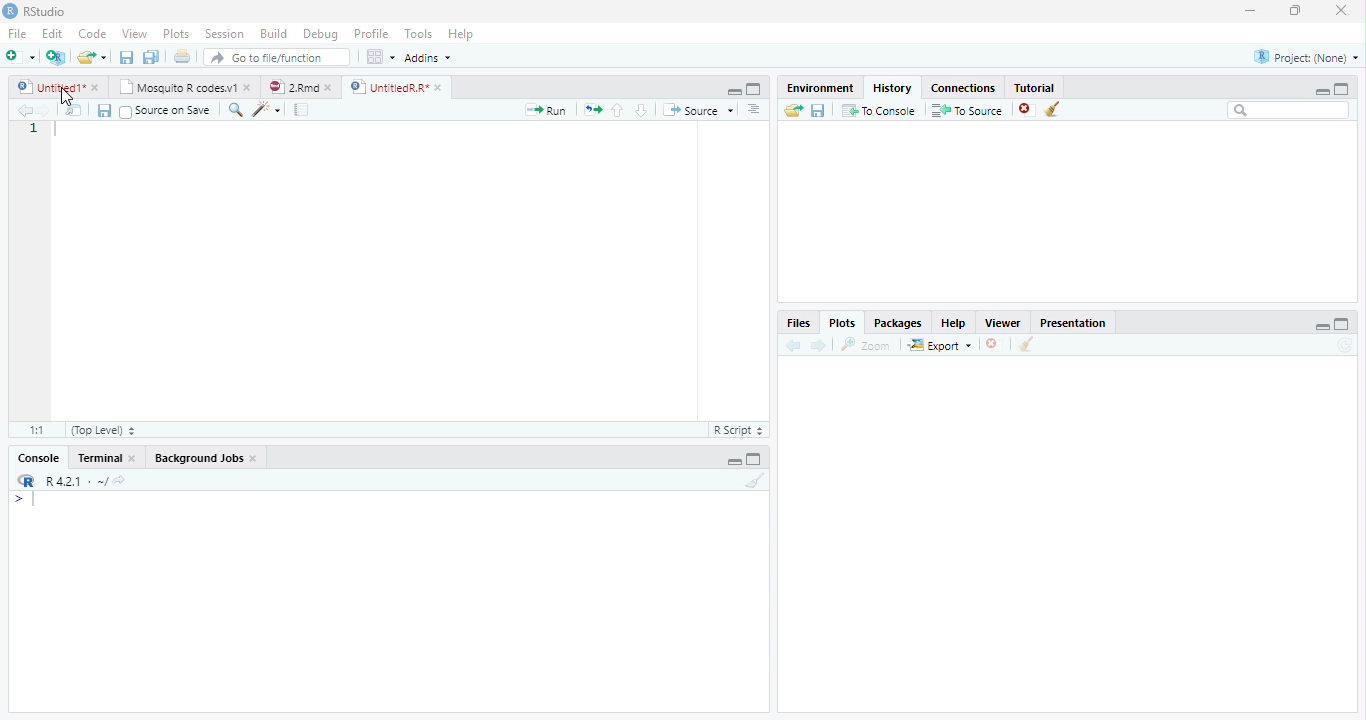  Describe the element at coordinates (16, 34) in the screenshot. I see `File` at that location.